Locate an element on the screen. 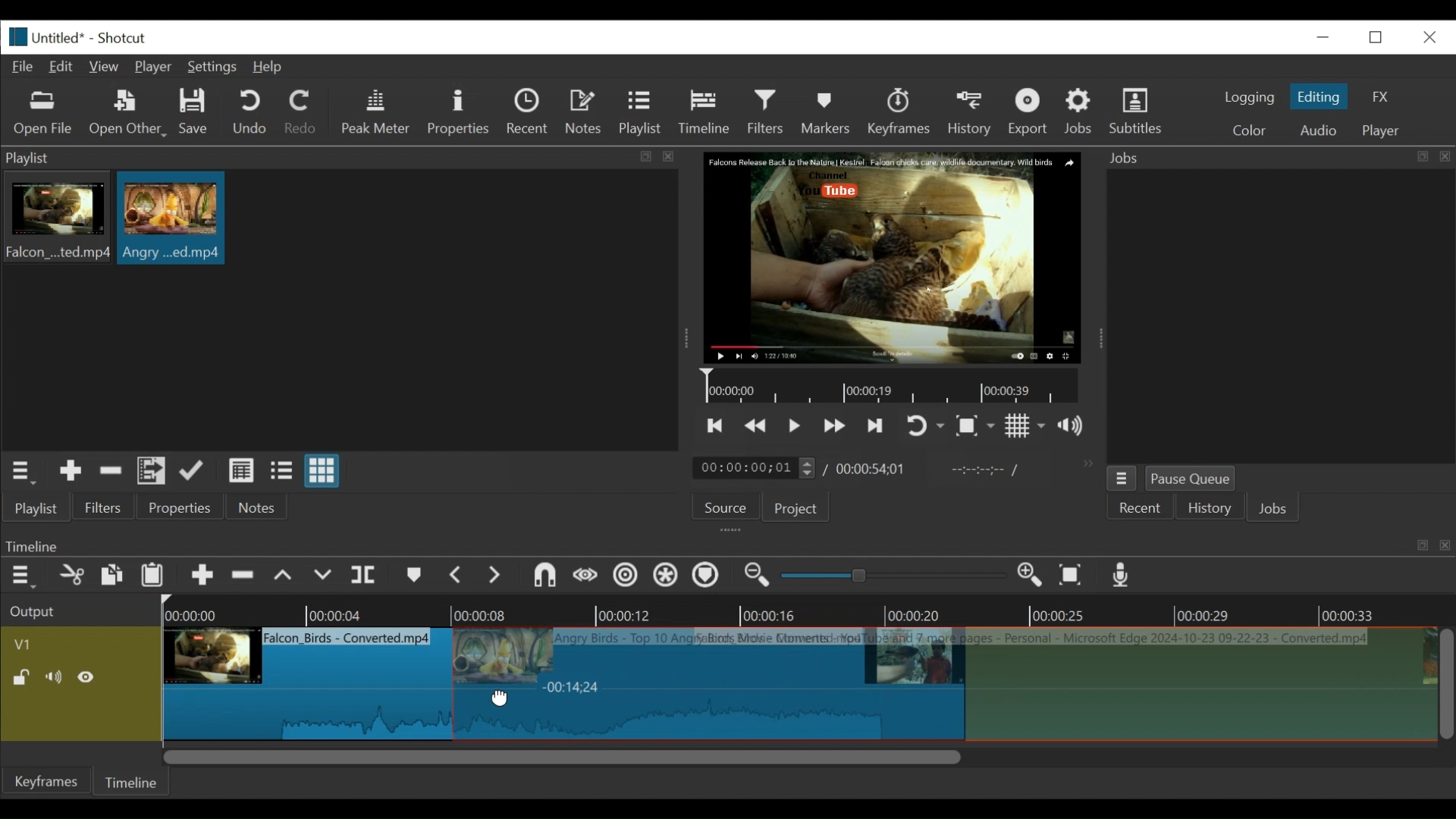 The image size is (1456, 819). split at playhead is located at coordinates (366, 576).